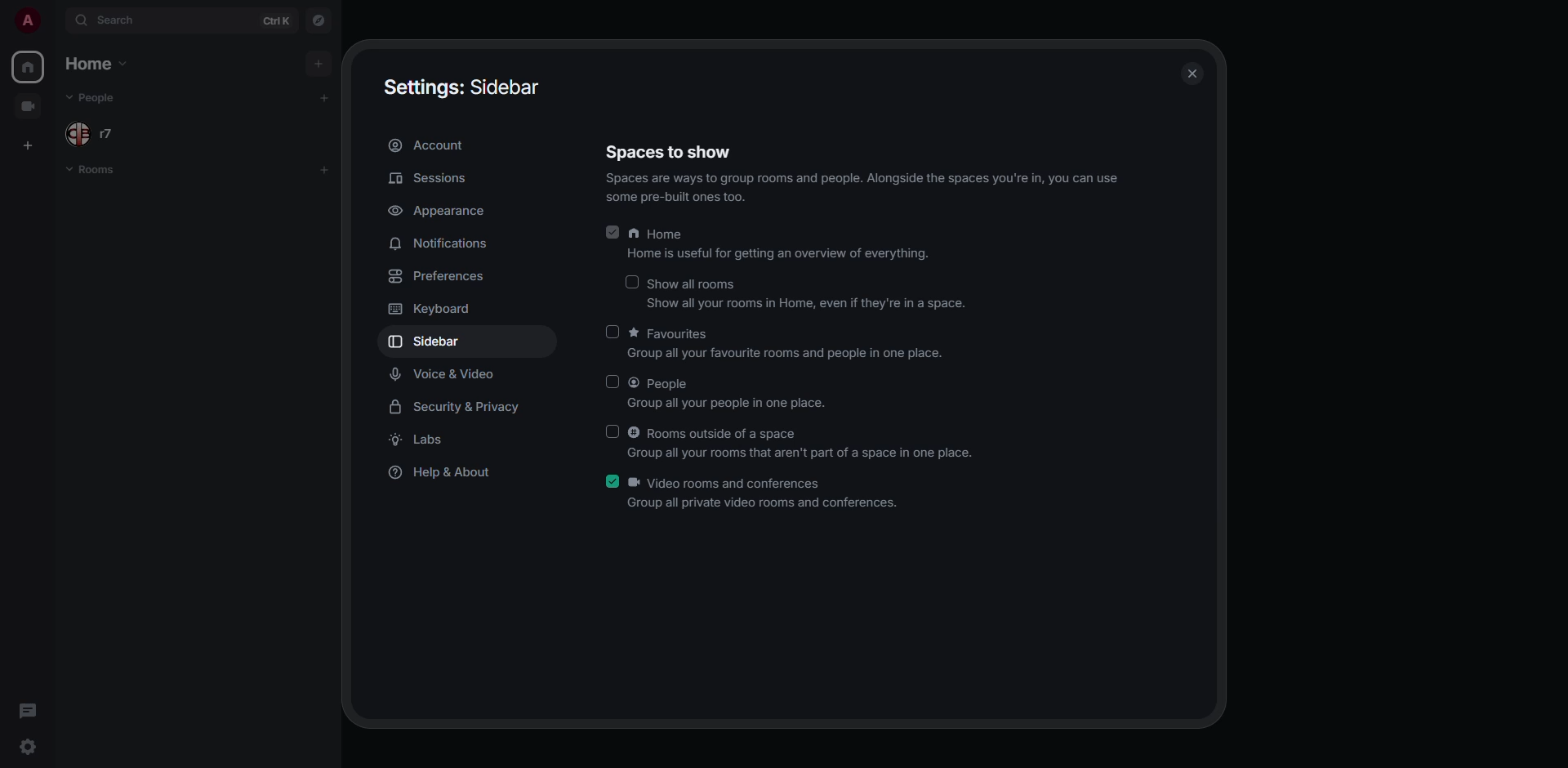  I want to click on create space, so click(28, 148).